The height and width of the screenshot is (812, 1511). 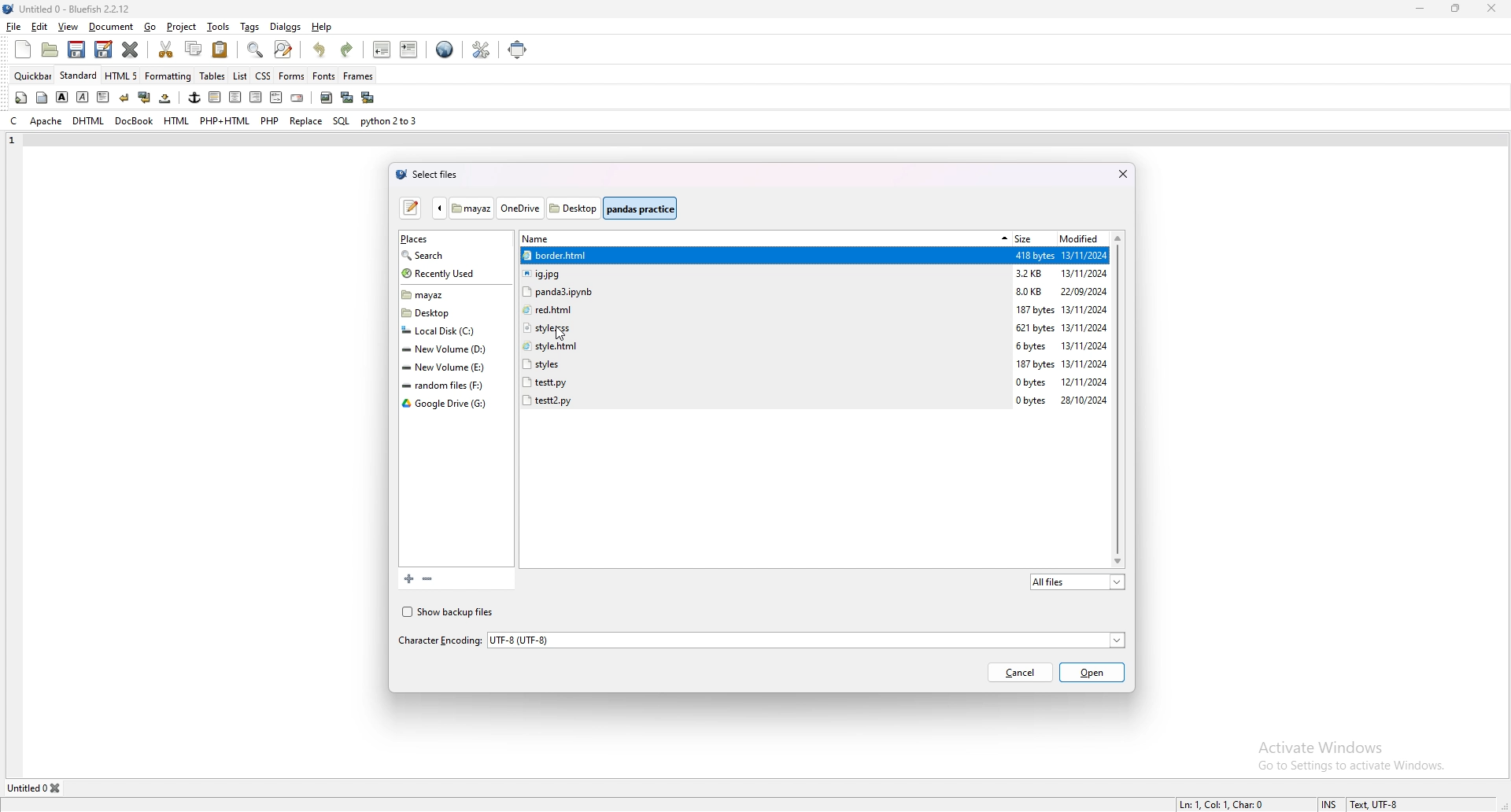 I want to click on 187 bytes, so click(x=1036, y=365).